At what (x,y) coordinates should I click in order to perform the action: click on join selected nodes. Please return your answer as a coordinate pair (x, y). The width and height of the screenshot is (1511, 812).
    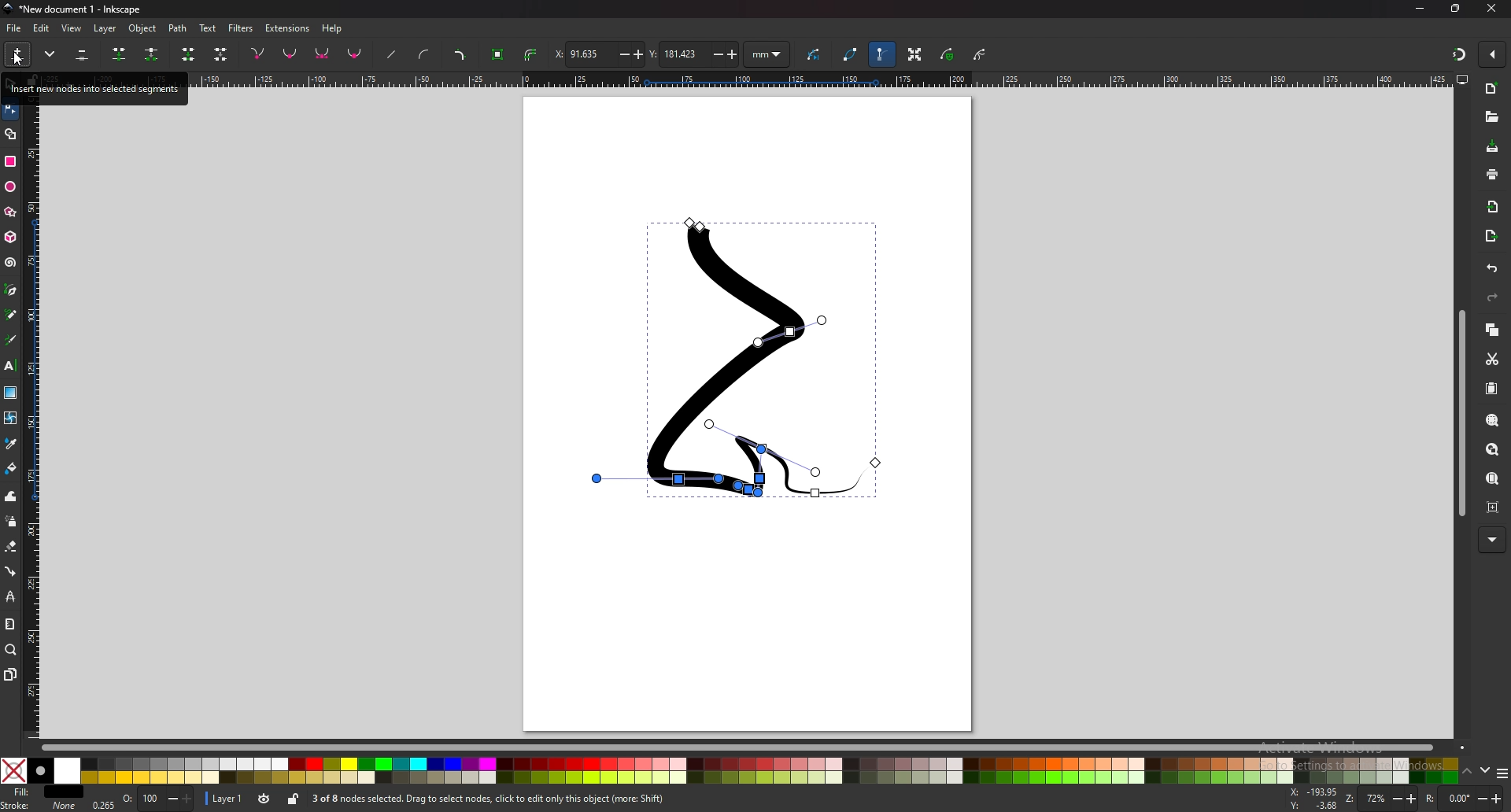
    Looking at the image, I should click on (120, 54).